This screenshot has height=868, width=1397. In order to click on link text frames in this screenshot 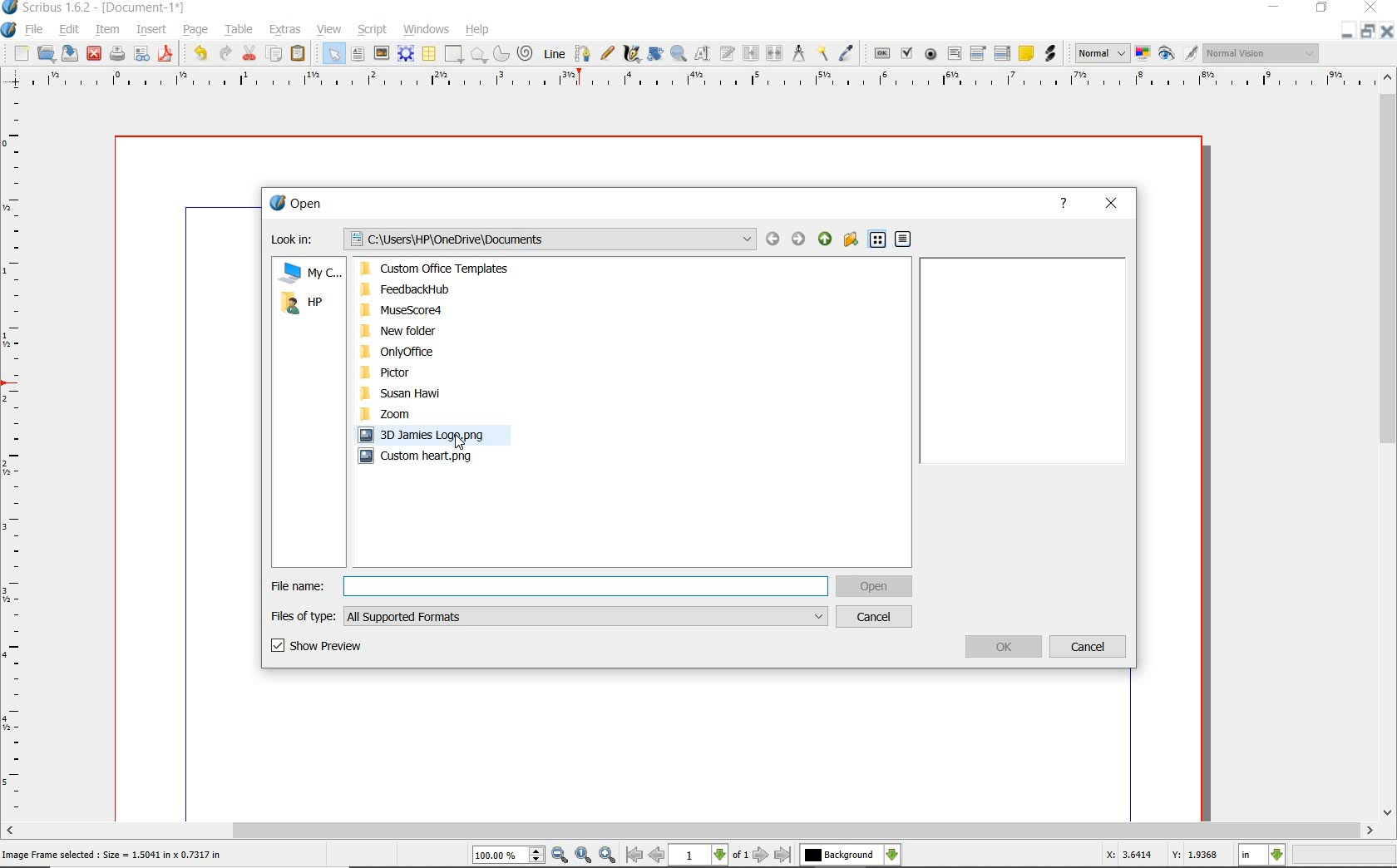, I will do `click(752, 53)`.